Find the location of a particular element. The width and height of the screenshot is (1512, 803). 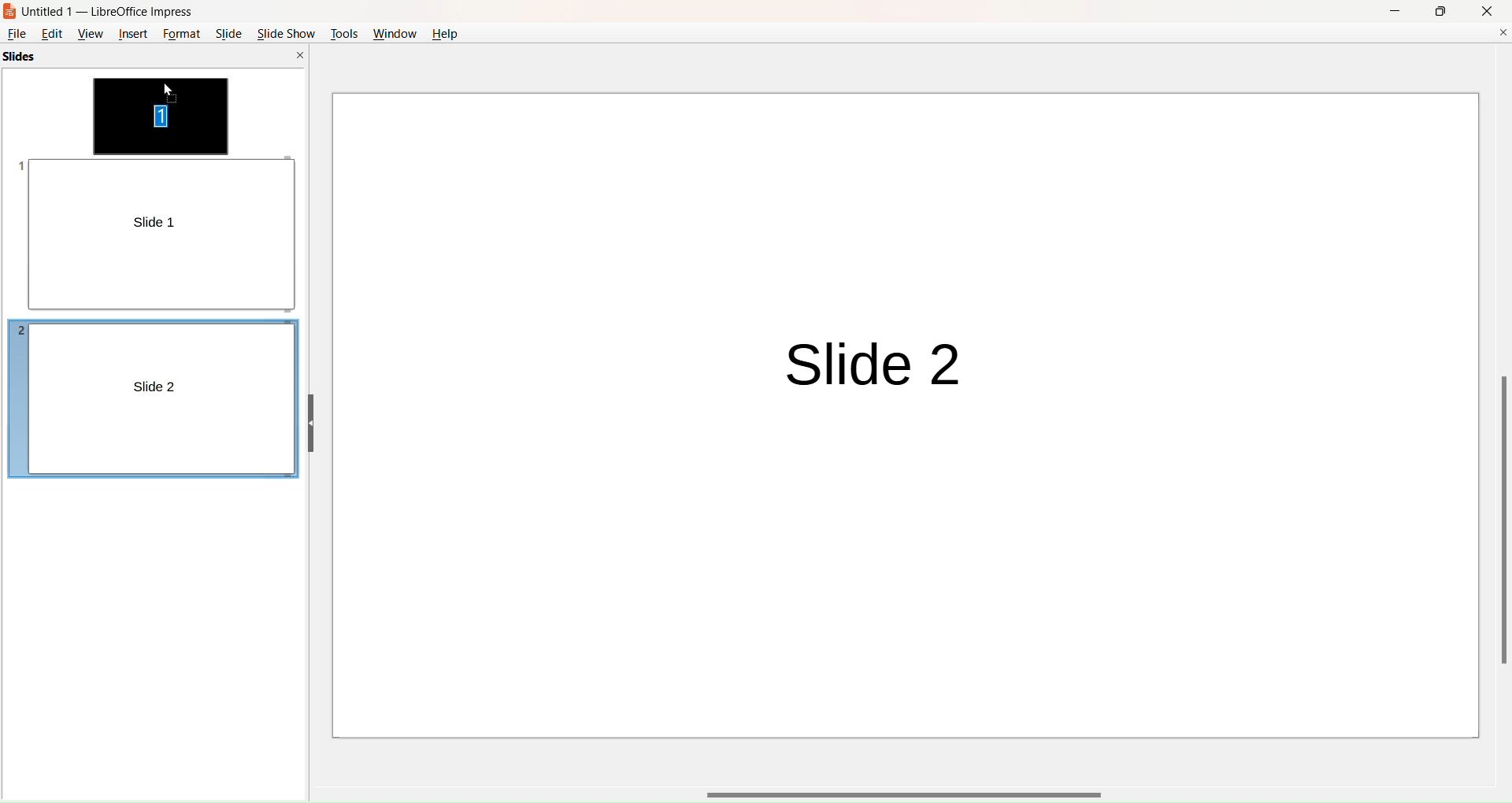

close document is located at coordinates (1501, 33).